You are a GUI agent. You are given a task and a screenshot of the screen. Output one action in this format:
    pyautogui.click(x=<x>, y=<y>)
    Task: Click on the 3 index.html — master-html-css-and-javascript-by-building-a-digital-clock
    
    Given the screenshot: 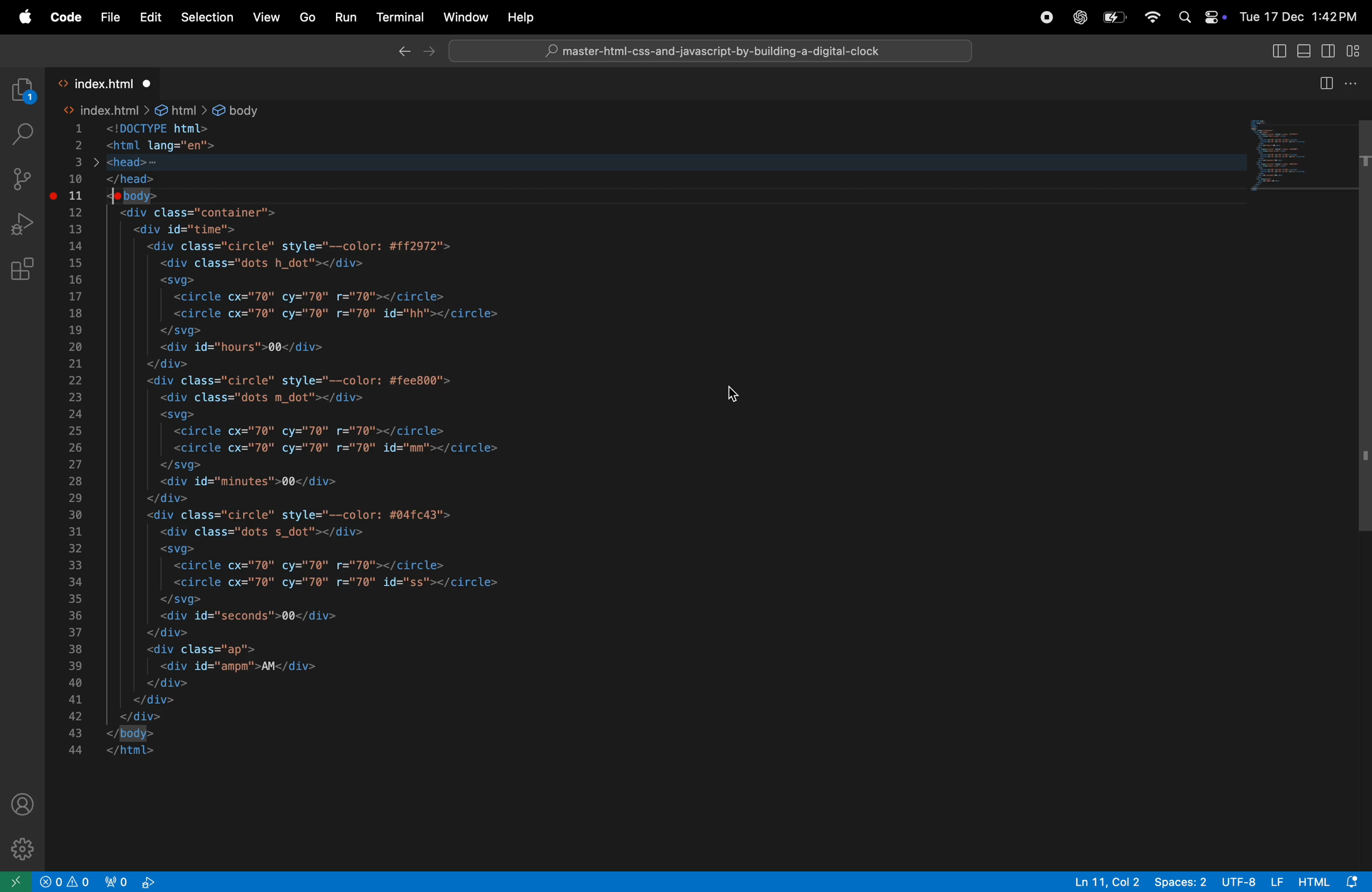 What is the action you would take?
    pyautogui.click(x=716, y=51)
    